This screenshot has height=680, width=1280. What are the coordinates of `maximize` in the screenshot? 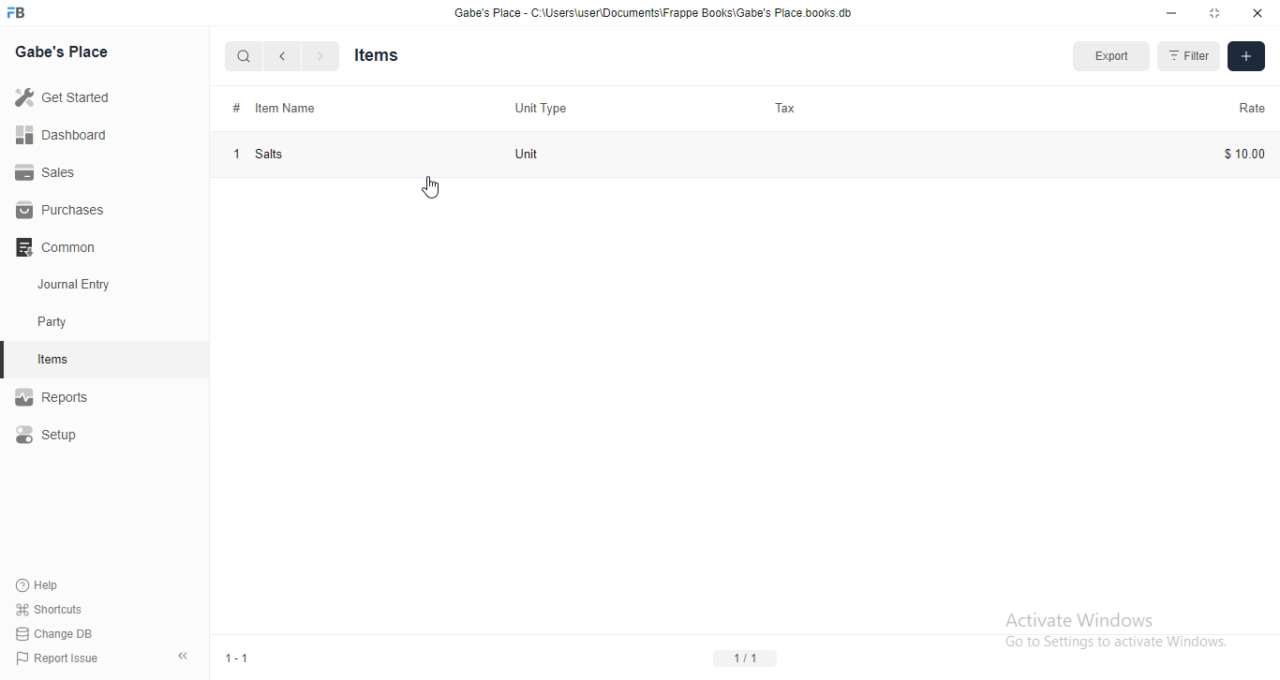 It's located at (1217, 14).